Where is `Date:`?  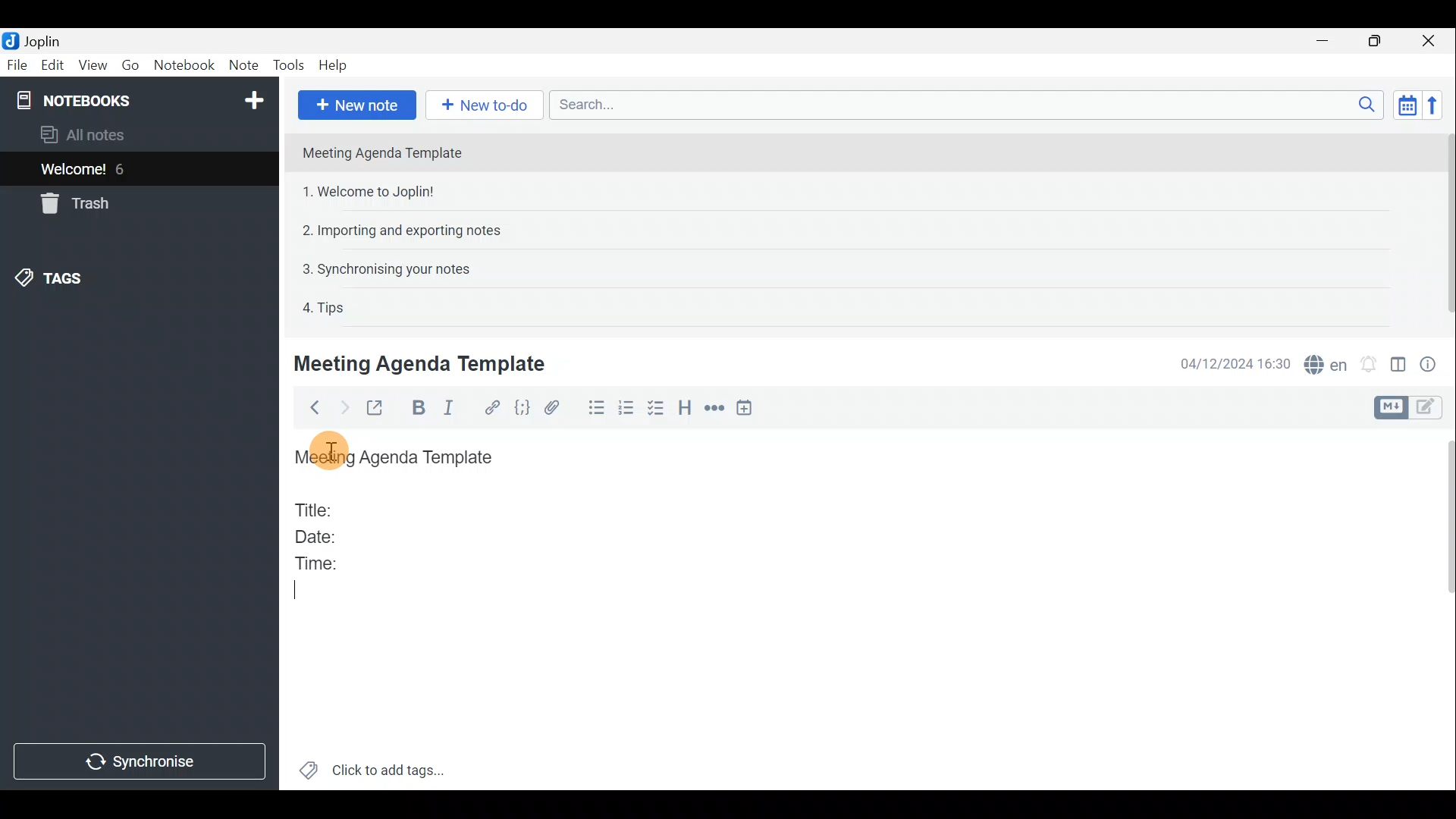
Date: is located at coordinates (328, 535).